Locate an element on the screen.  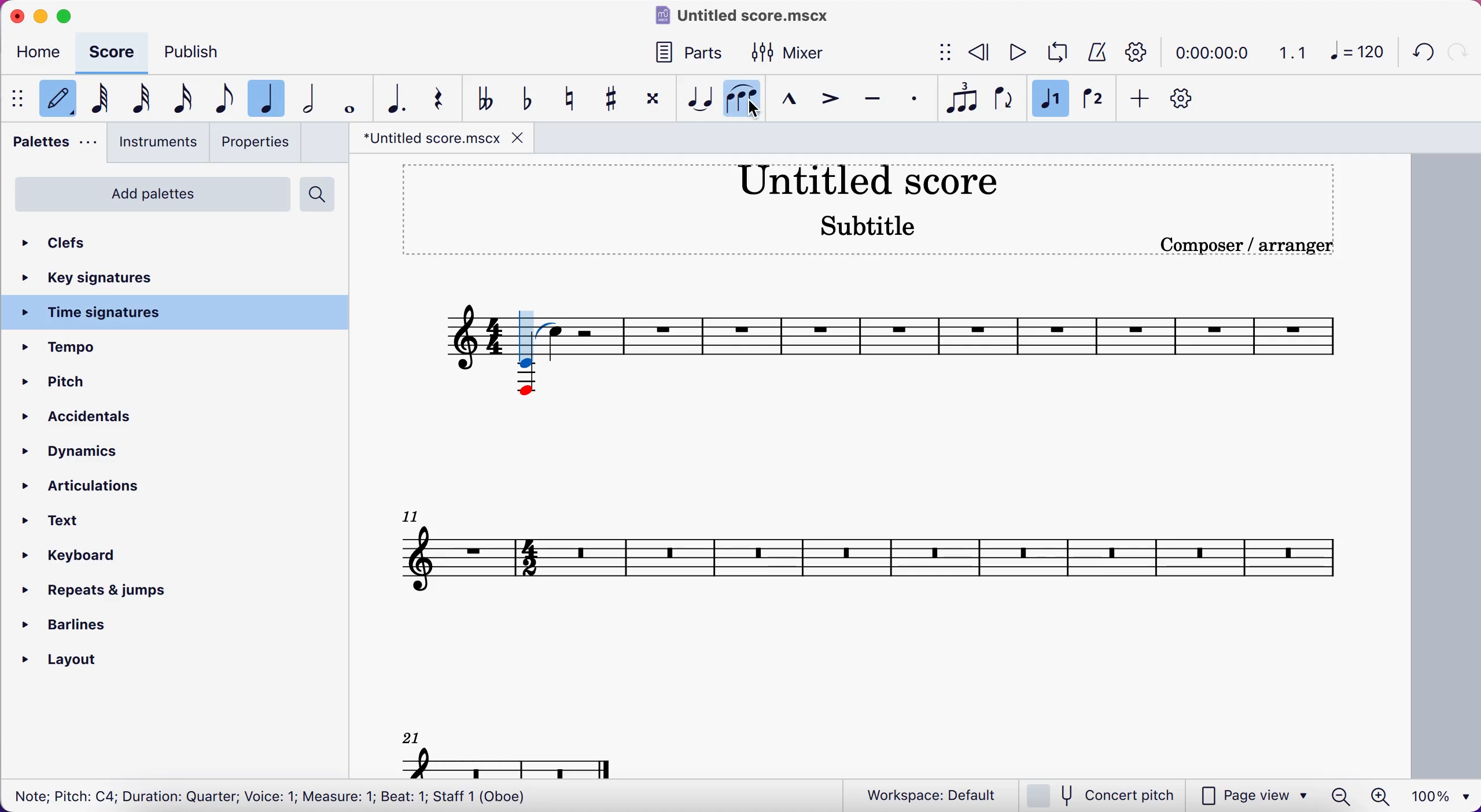
accidentals is located at coordinates (82, 419).